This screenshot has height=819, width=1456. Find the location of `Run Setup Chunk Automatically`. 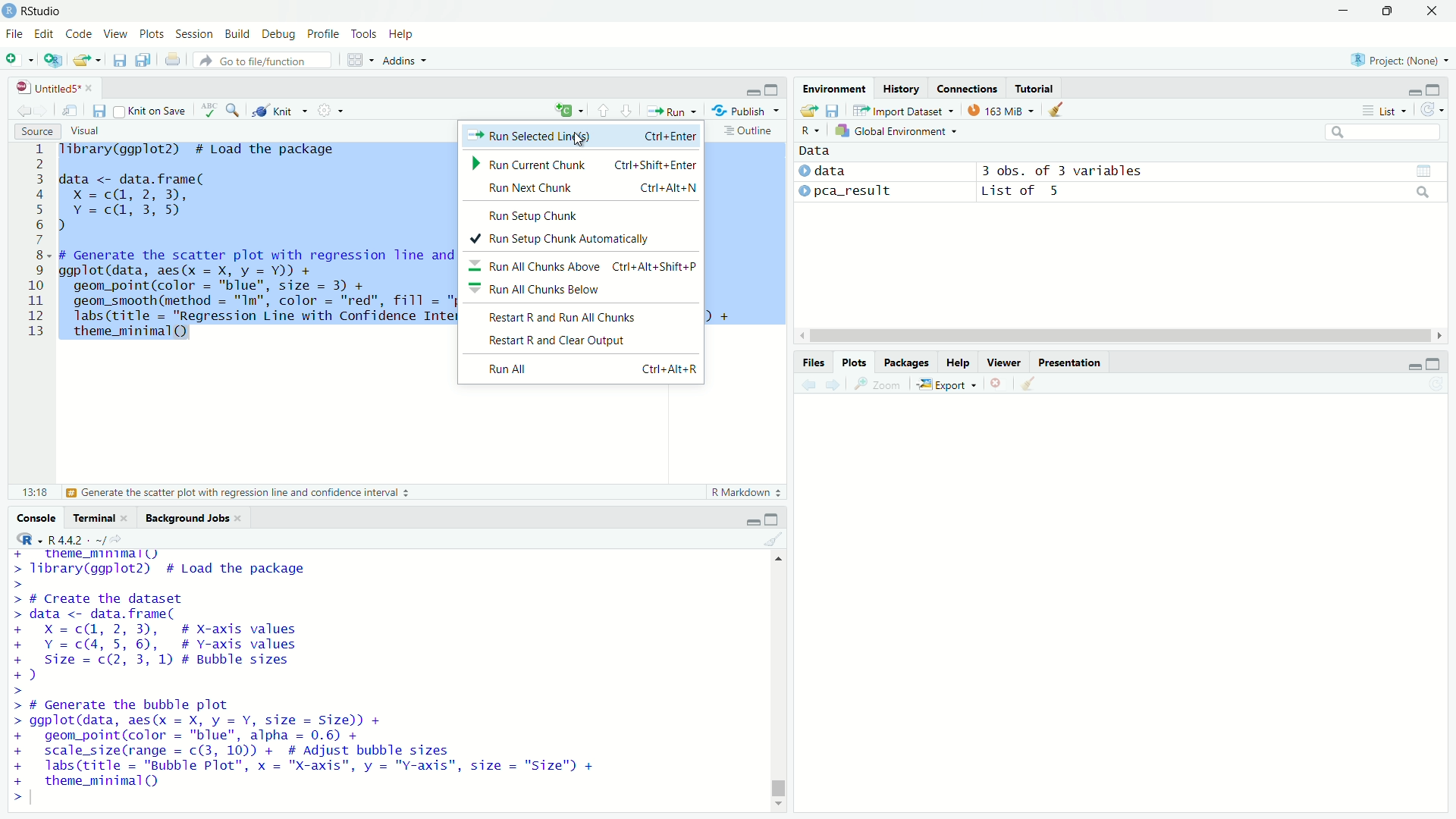

Run Setup Chunk Automatically is located at coordinates (580, 238).